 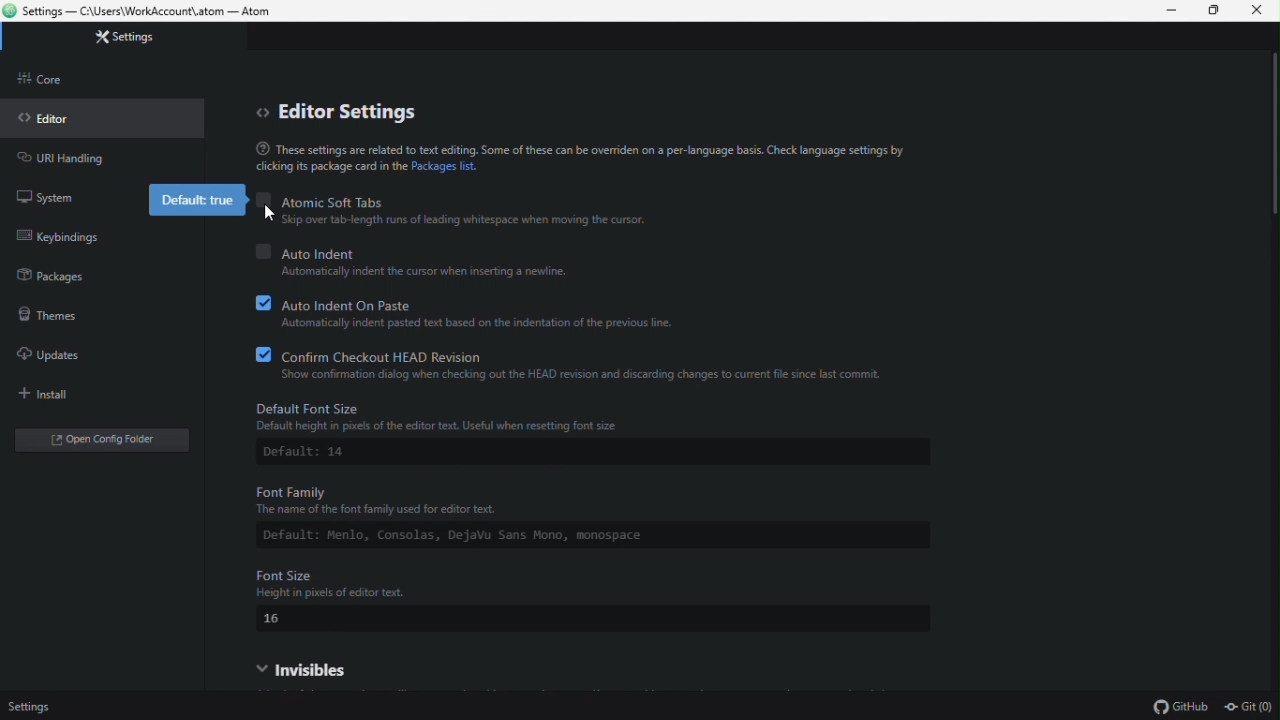 What do you see at coordinates (70, 390) in the screenshot?
I see `Install` at bounding box center [70, 390].